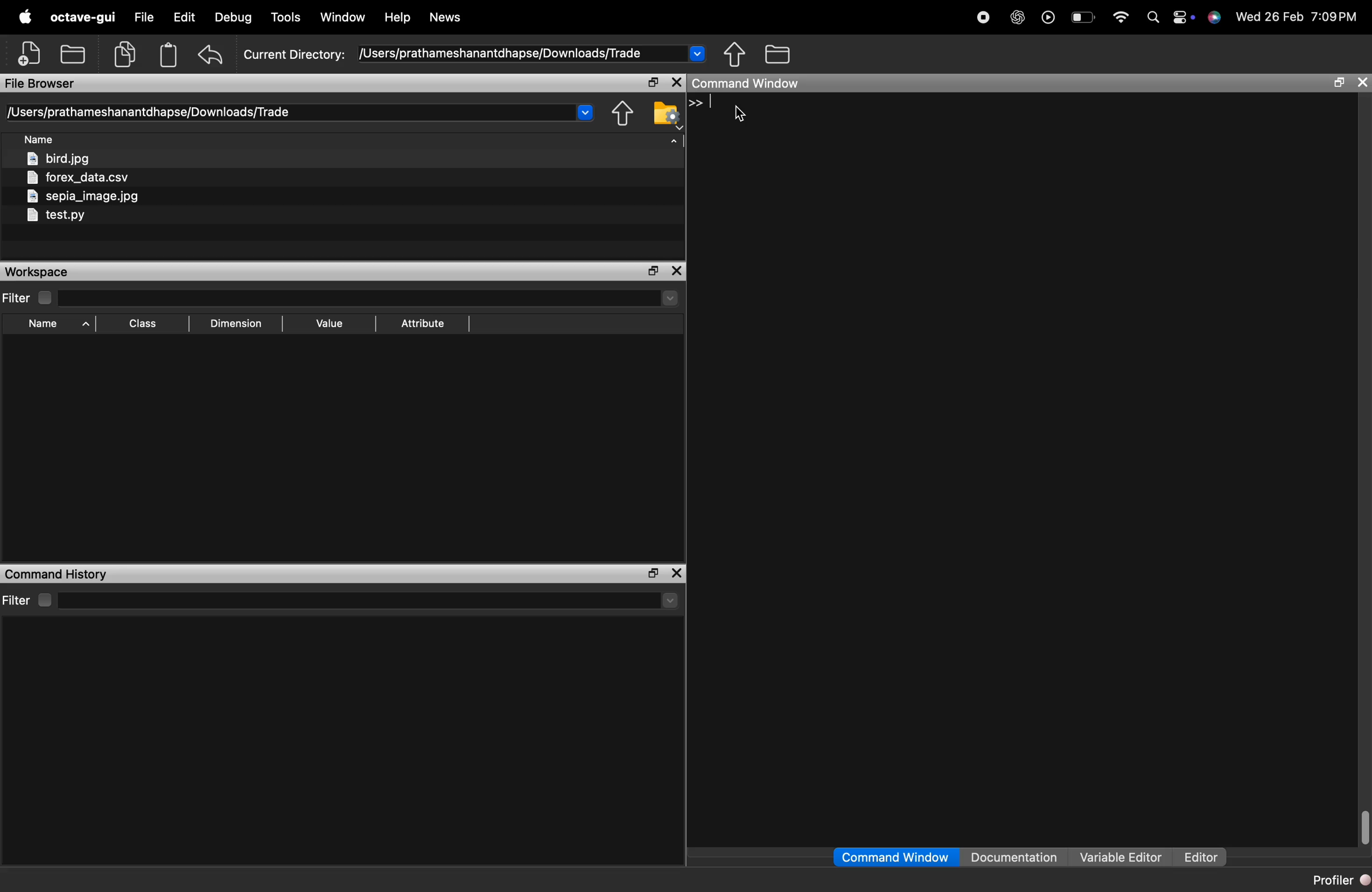 The height and width of the screenshot is (892, 1372). What do you see at coordinates (55, 324) in the screenshot?
I see `sort by name` at bounding box center [55, 324].